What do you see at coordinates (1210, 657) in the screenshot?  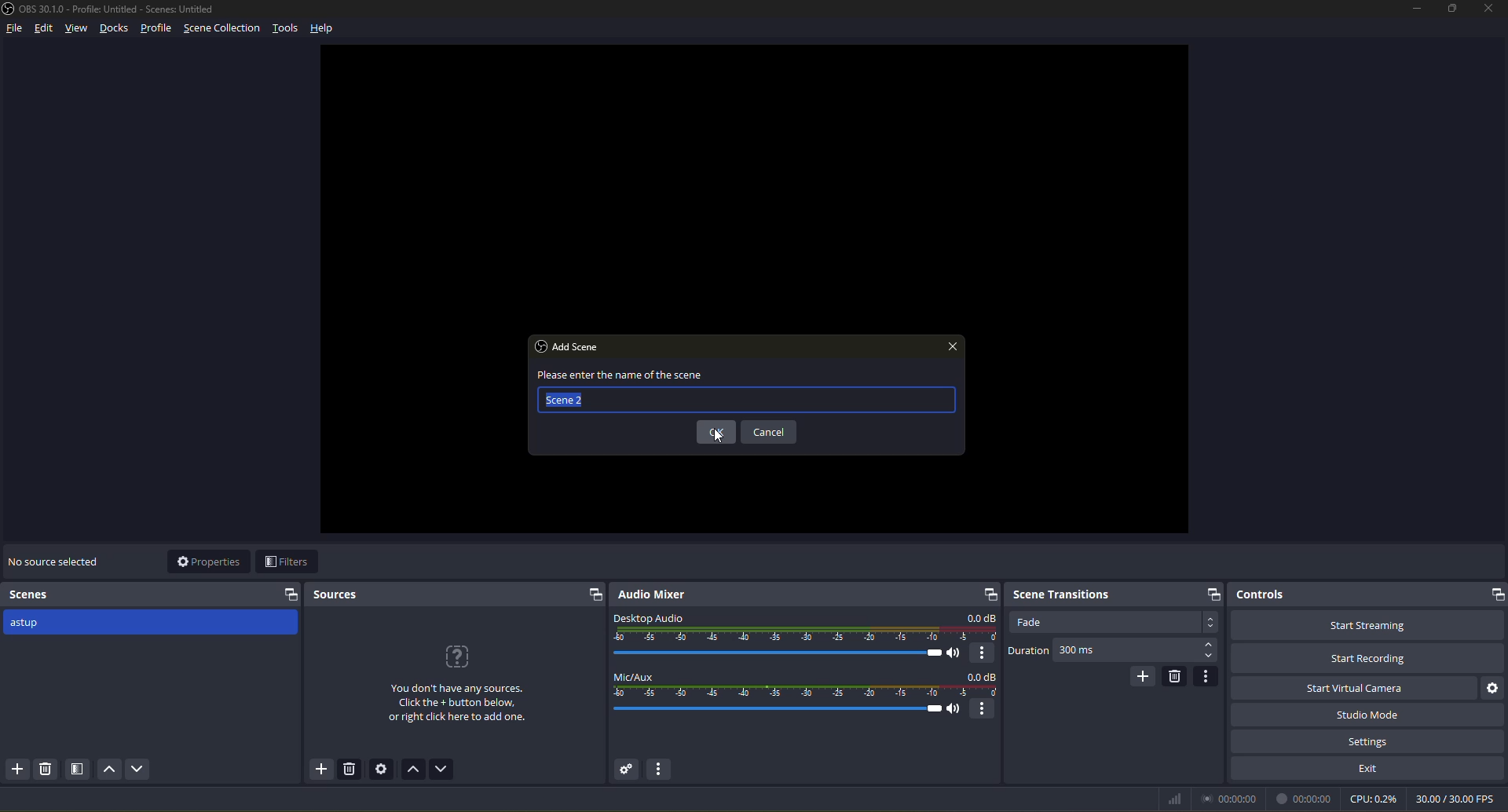 I see `select down` at bounding box center [1210, 657].